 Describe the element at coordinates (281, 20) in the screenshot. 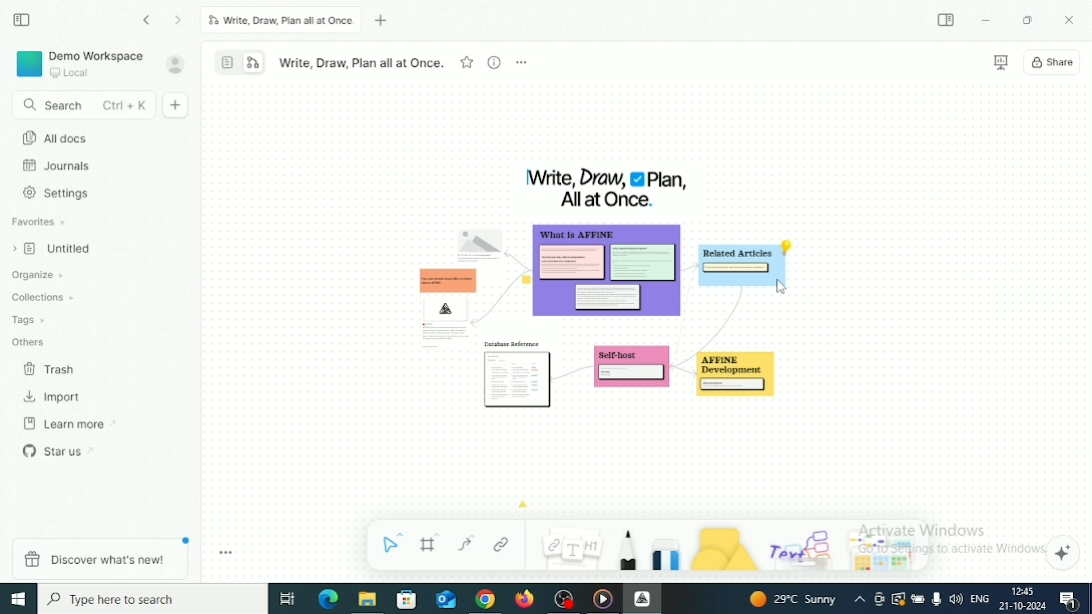

I see `Write, Draw, Plan all at Once` at that location.